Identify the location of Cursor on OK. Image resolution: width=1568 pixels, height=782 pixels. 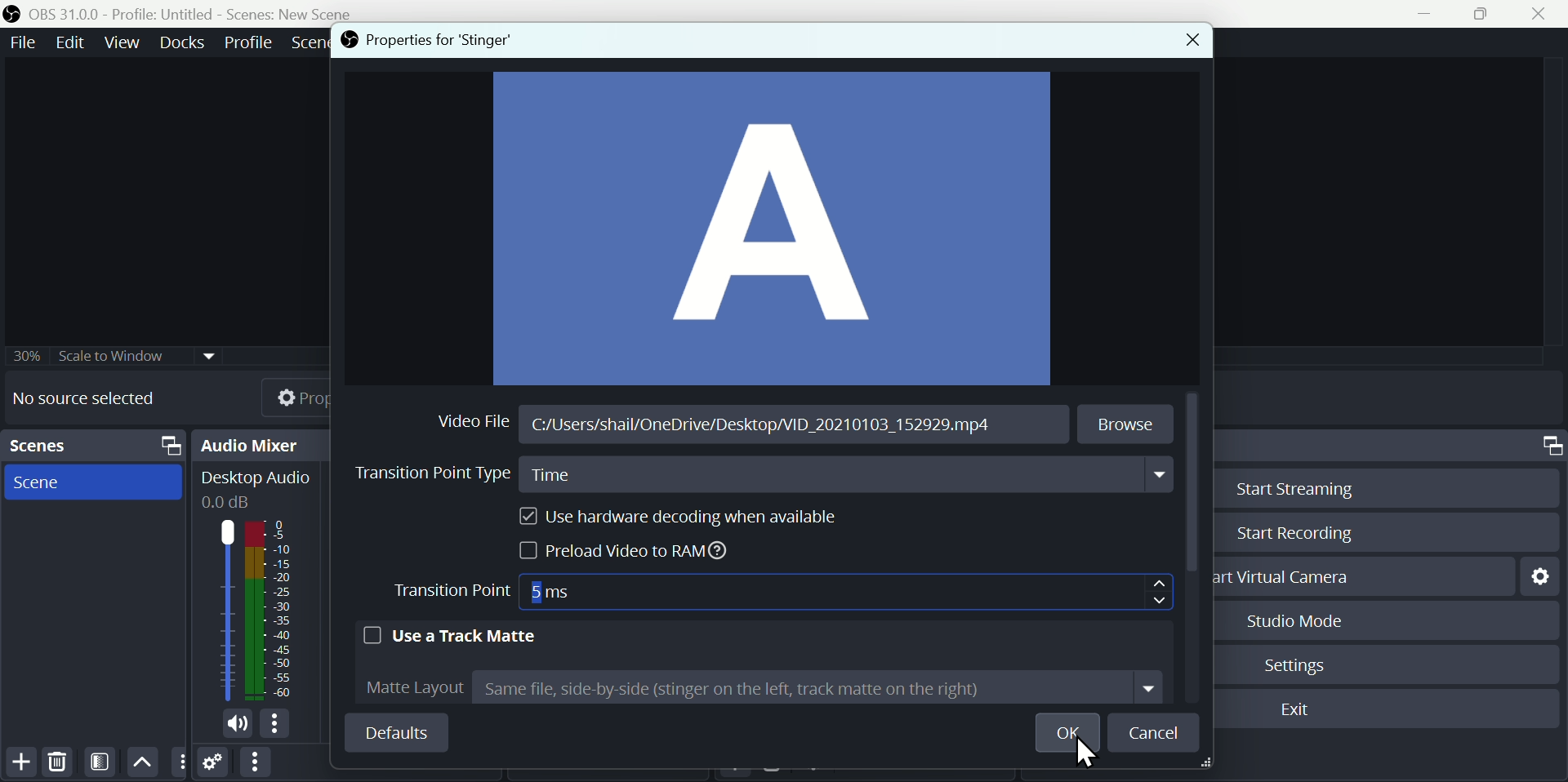
(1091, 758).